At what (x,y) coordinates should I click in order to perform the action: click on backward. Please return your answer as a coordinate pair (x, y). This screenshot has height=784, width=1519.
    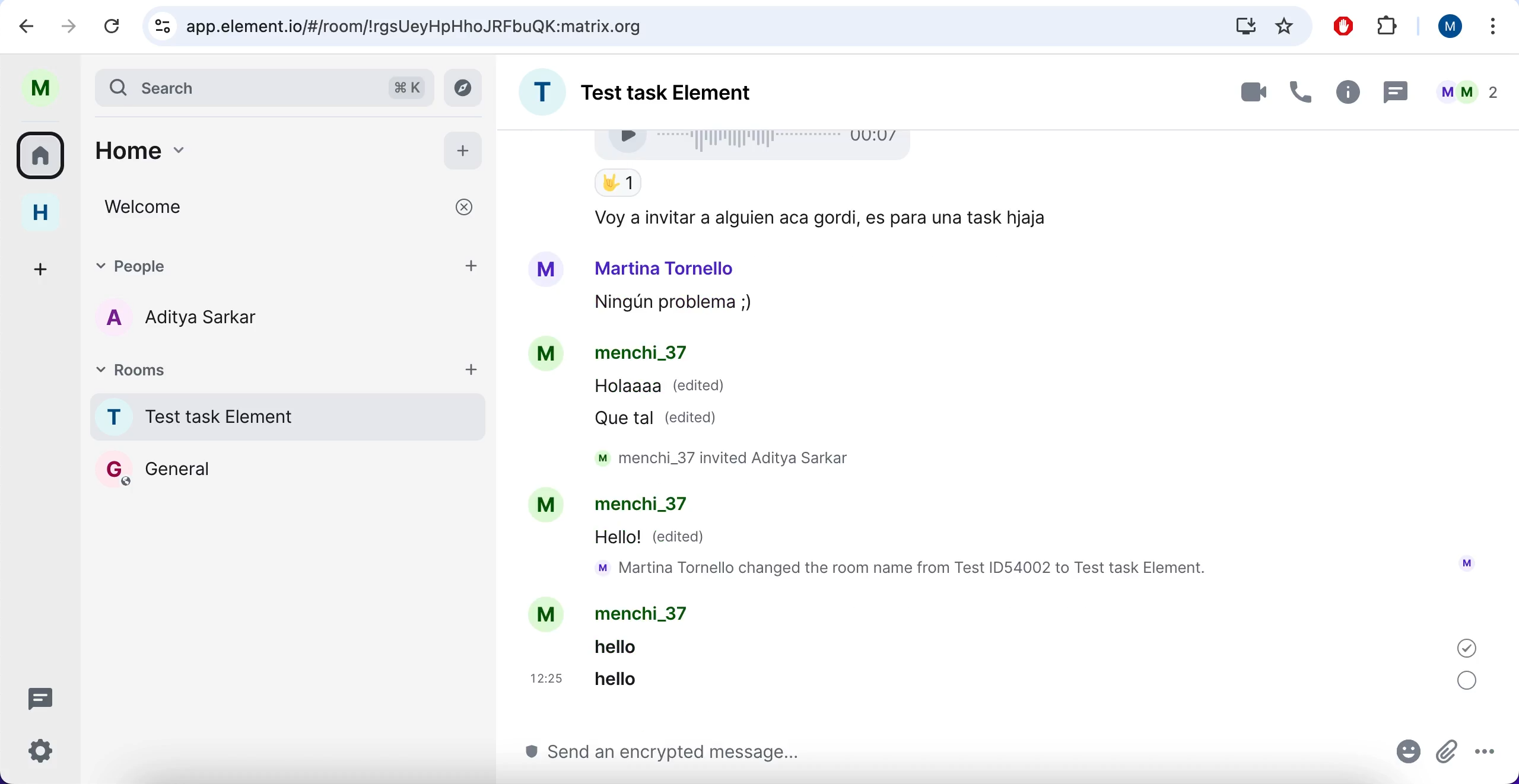
    Looking at the image, I should click on (27, 25).